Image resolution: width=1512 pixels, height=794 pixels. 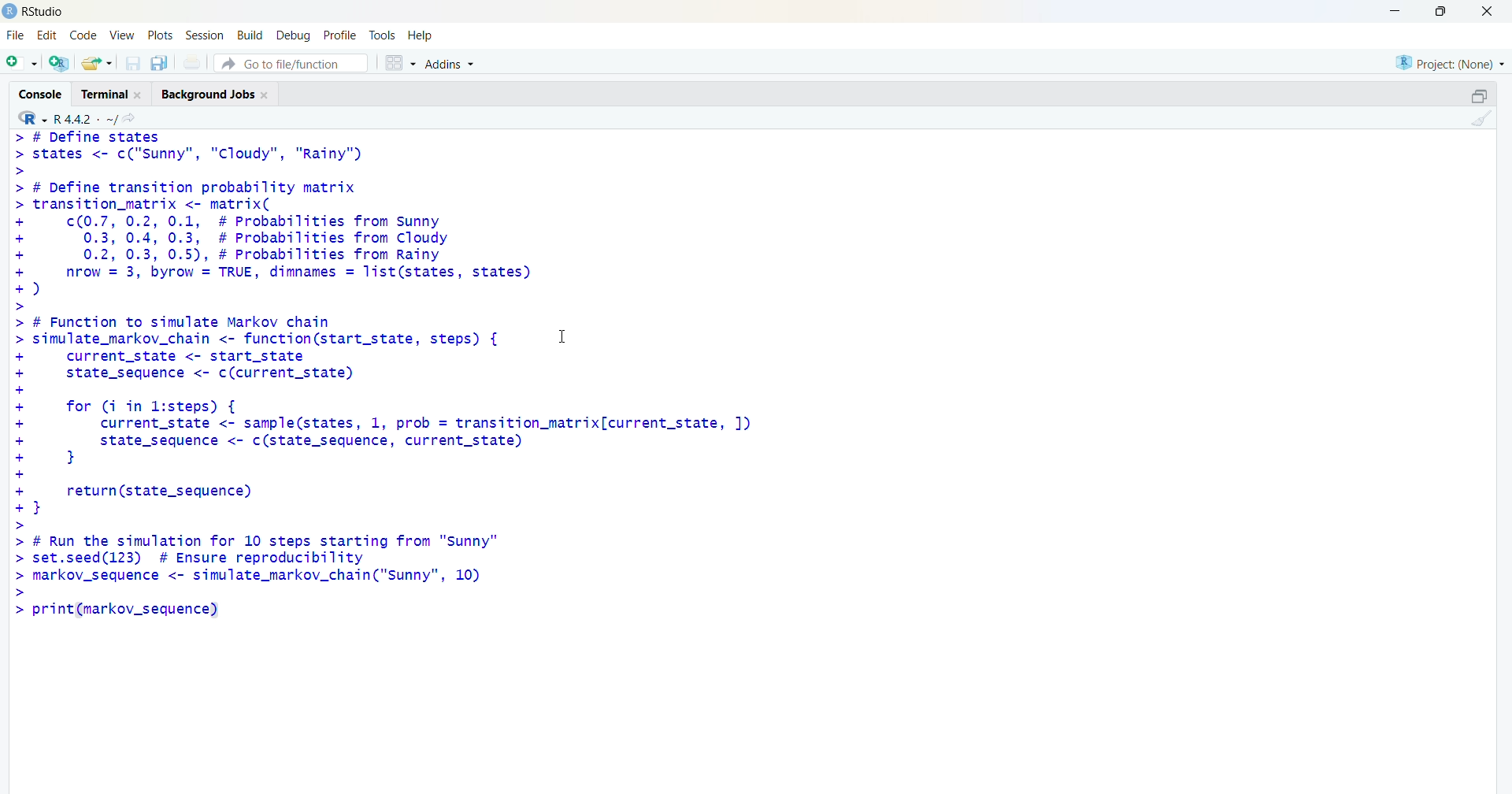 I want to click on save current document, so click(x=133, y=64).